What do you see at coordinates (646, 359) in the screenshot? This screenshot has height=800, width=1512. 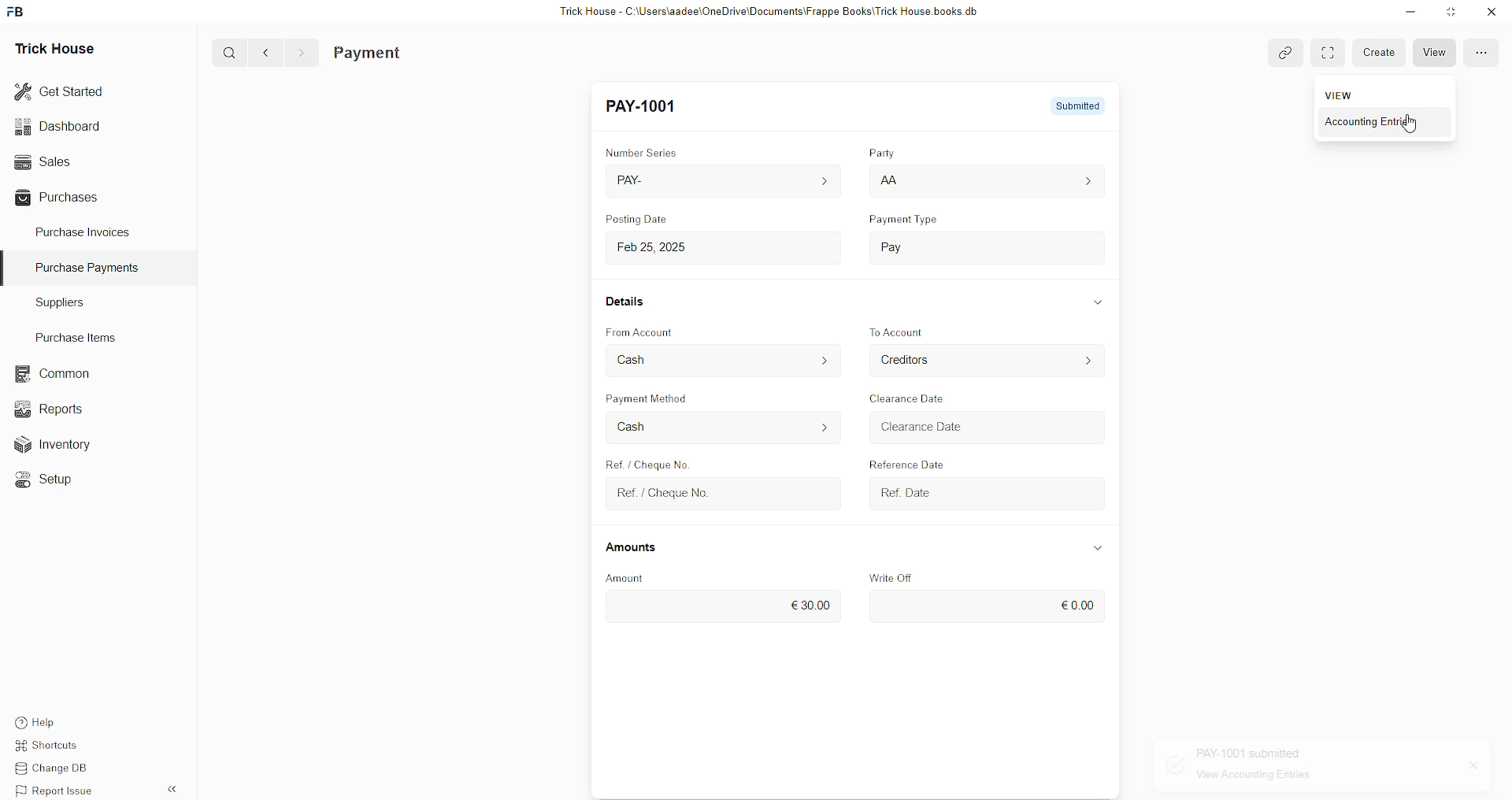 I see `Cash` at bounding box center [646, 359].